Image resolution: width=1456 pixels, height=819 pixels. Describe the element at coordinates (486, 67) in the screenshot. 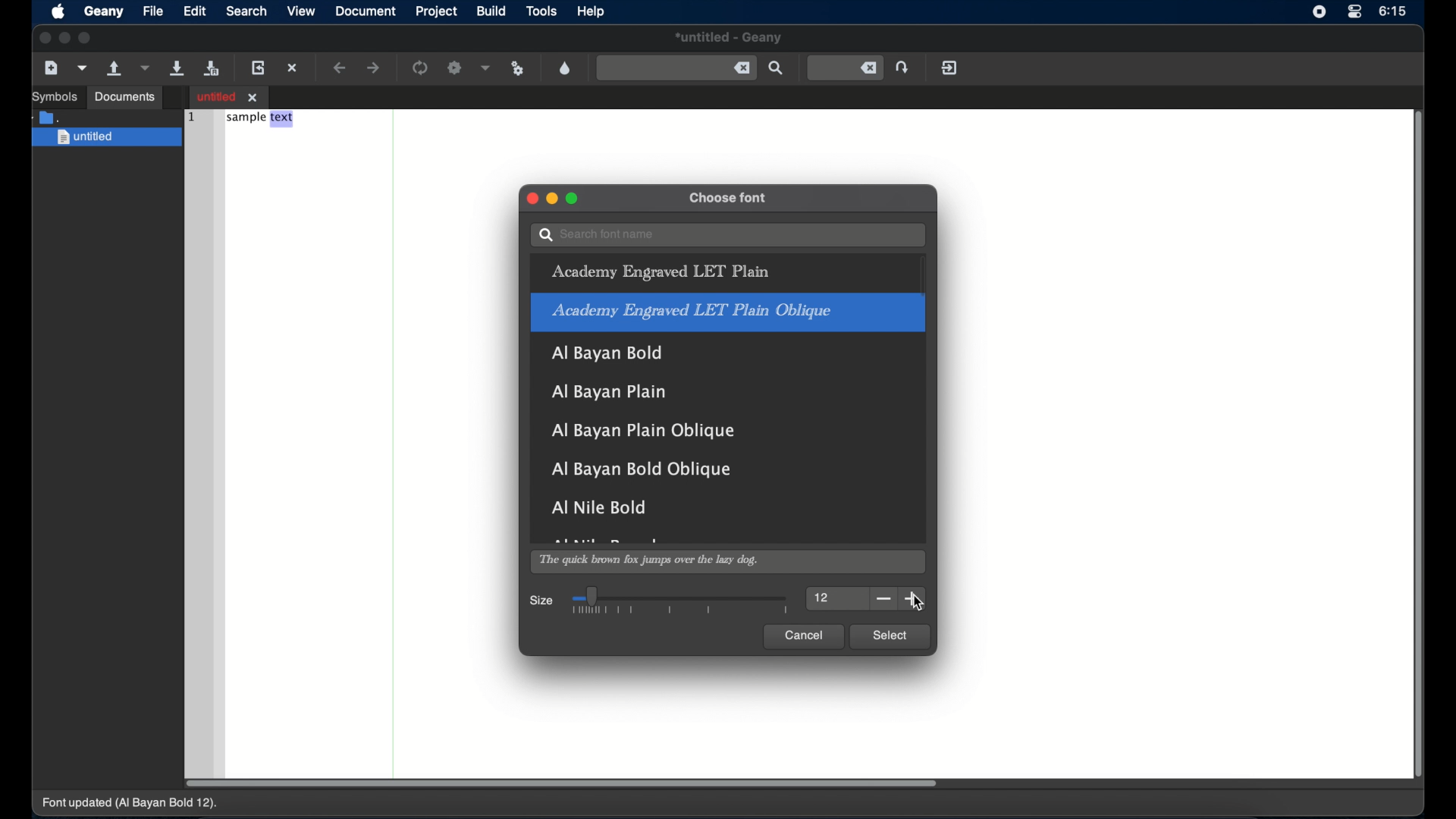

I see `choose more build actions` at that location.